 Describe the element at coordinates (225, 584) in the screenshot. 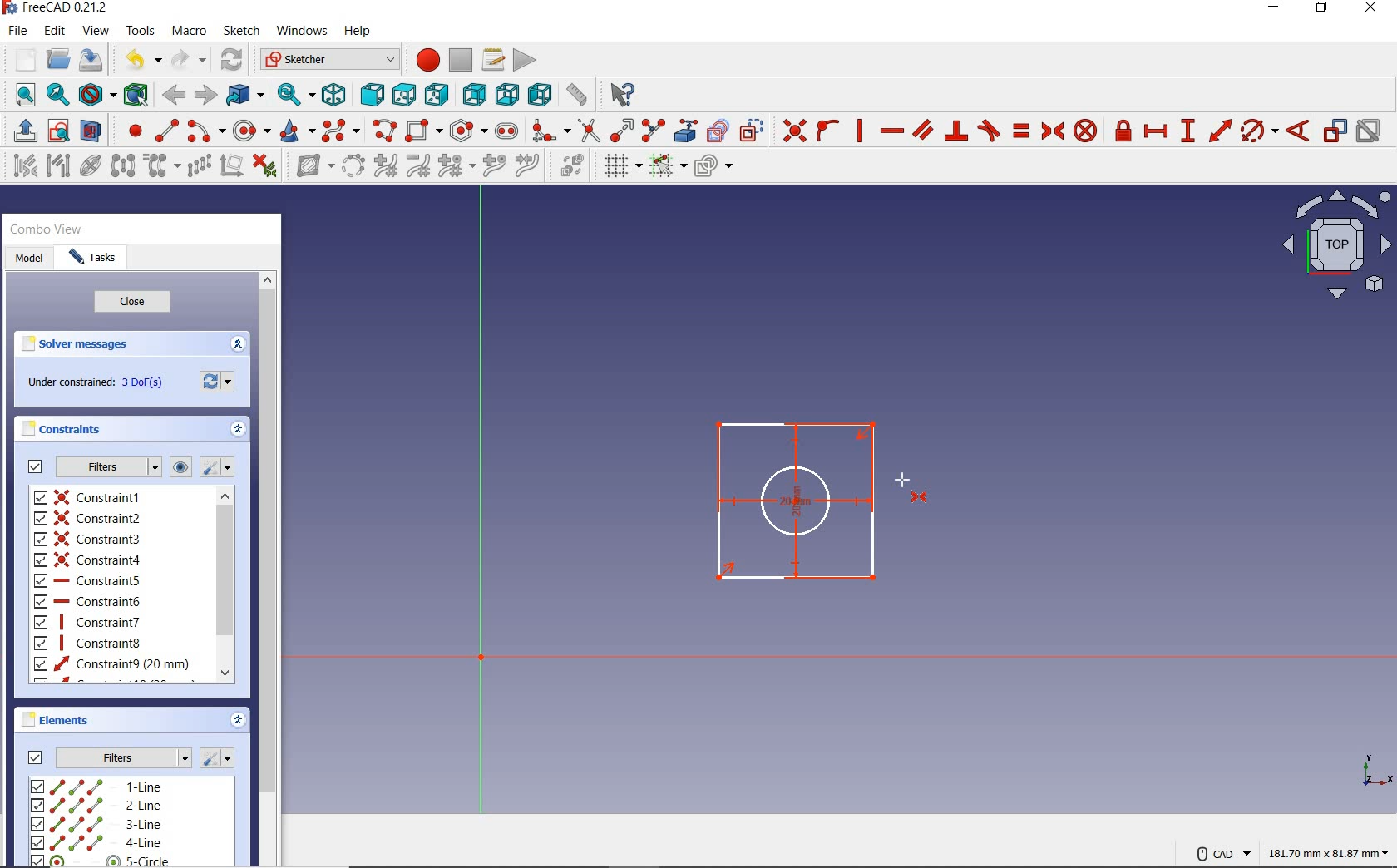

I see `scrollbar` at that location.